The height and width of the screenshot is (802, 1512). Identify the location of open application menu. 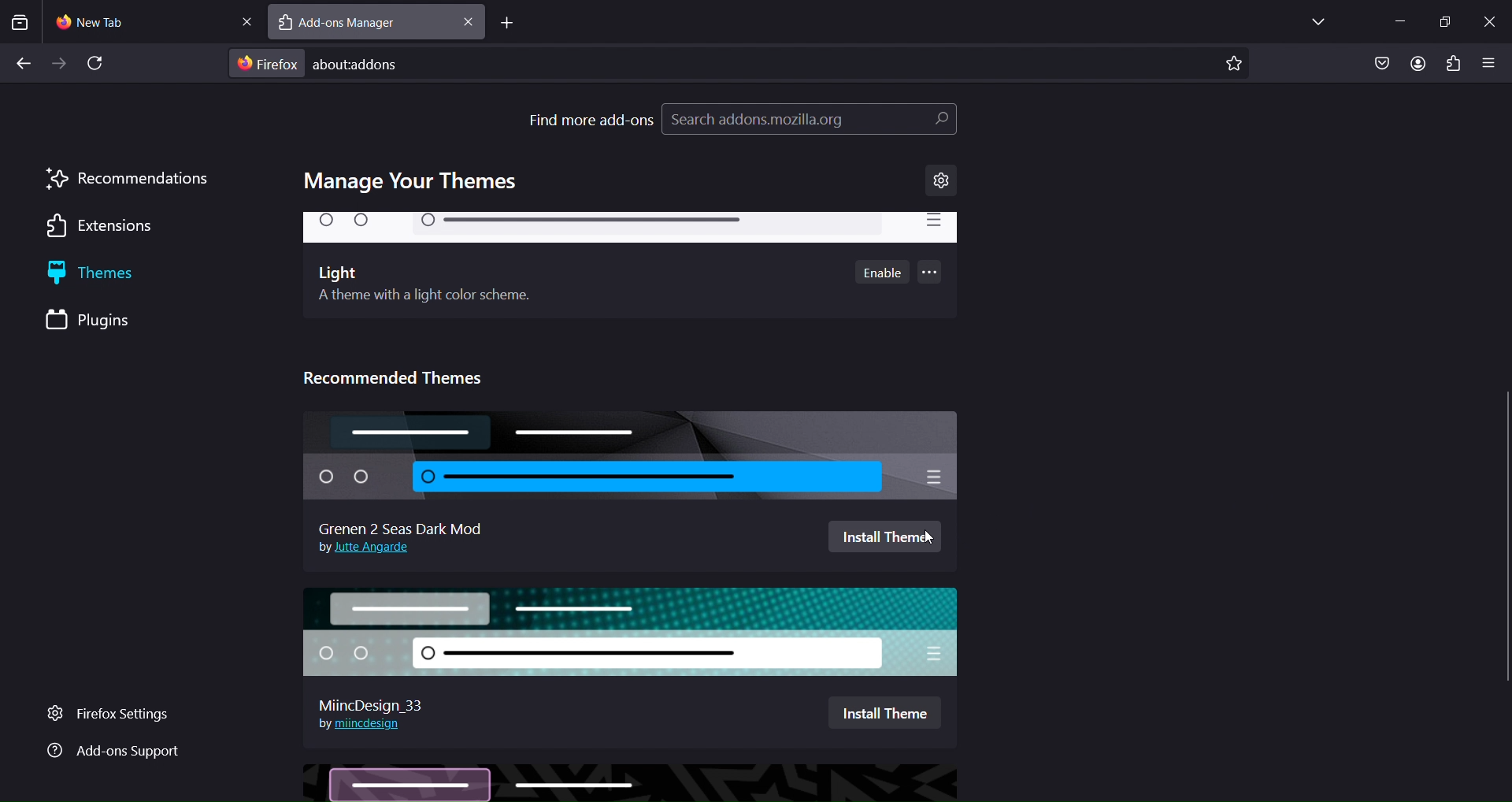
(1489, 65).